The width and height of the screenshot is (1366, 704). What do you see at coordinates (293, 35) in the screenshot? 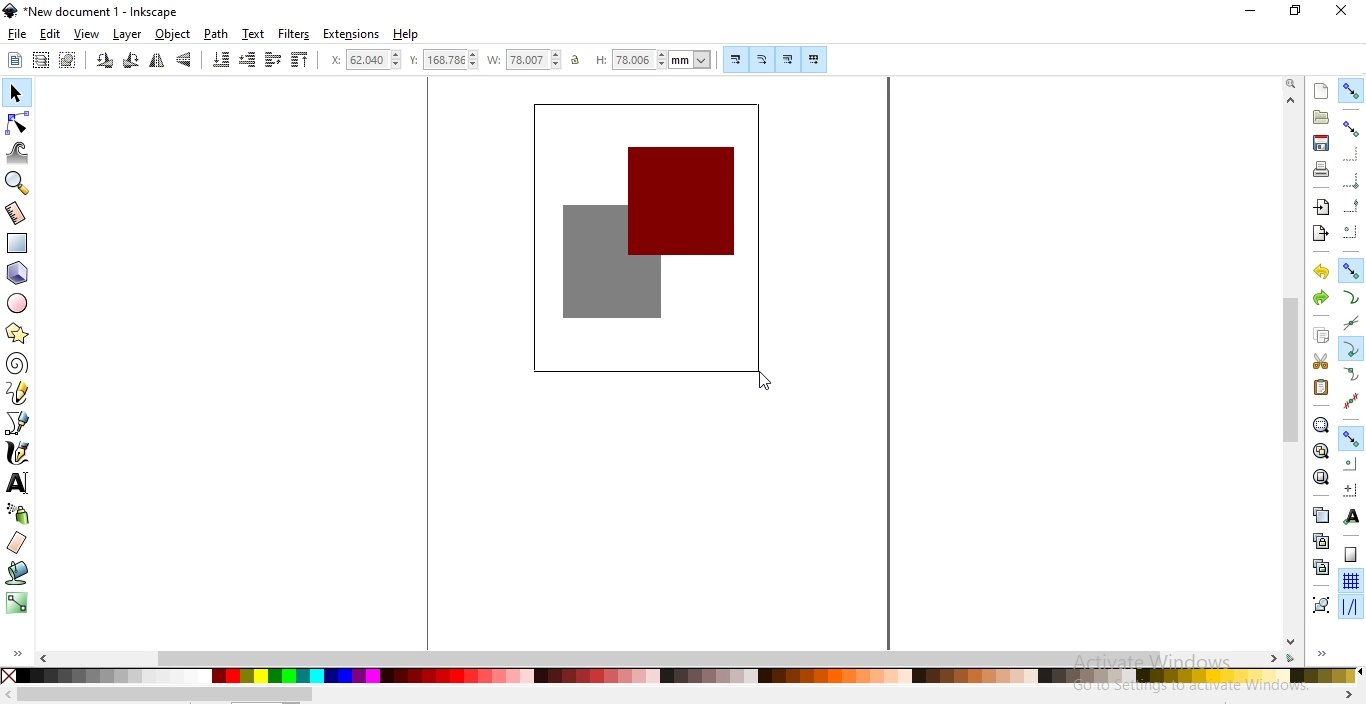
I see `filters` at bounding box center [293, 35].